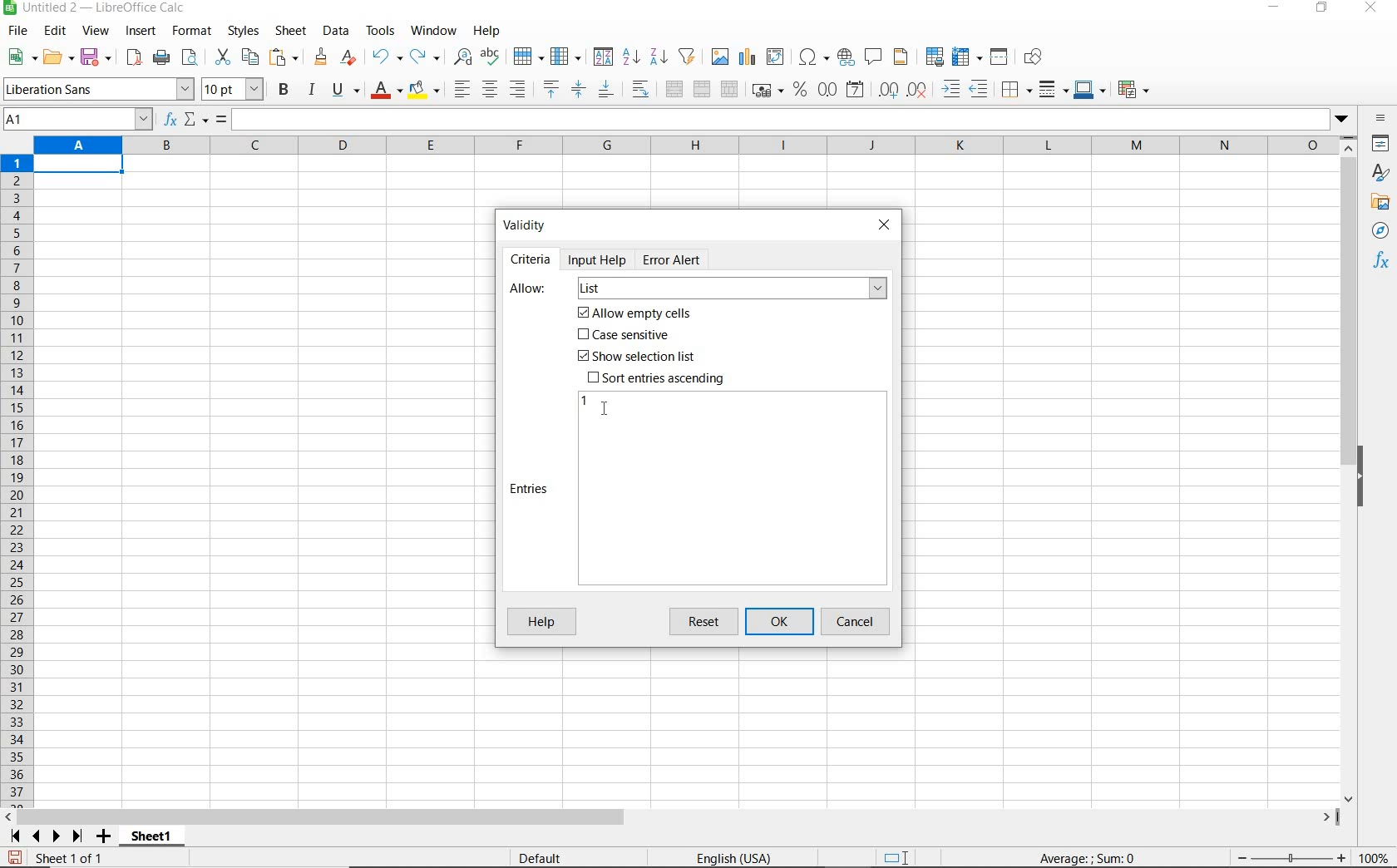 The image size is (1397, 868). Describe the element at coordinates (933, 57) in the screenshot. I see `define print area` at that location.